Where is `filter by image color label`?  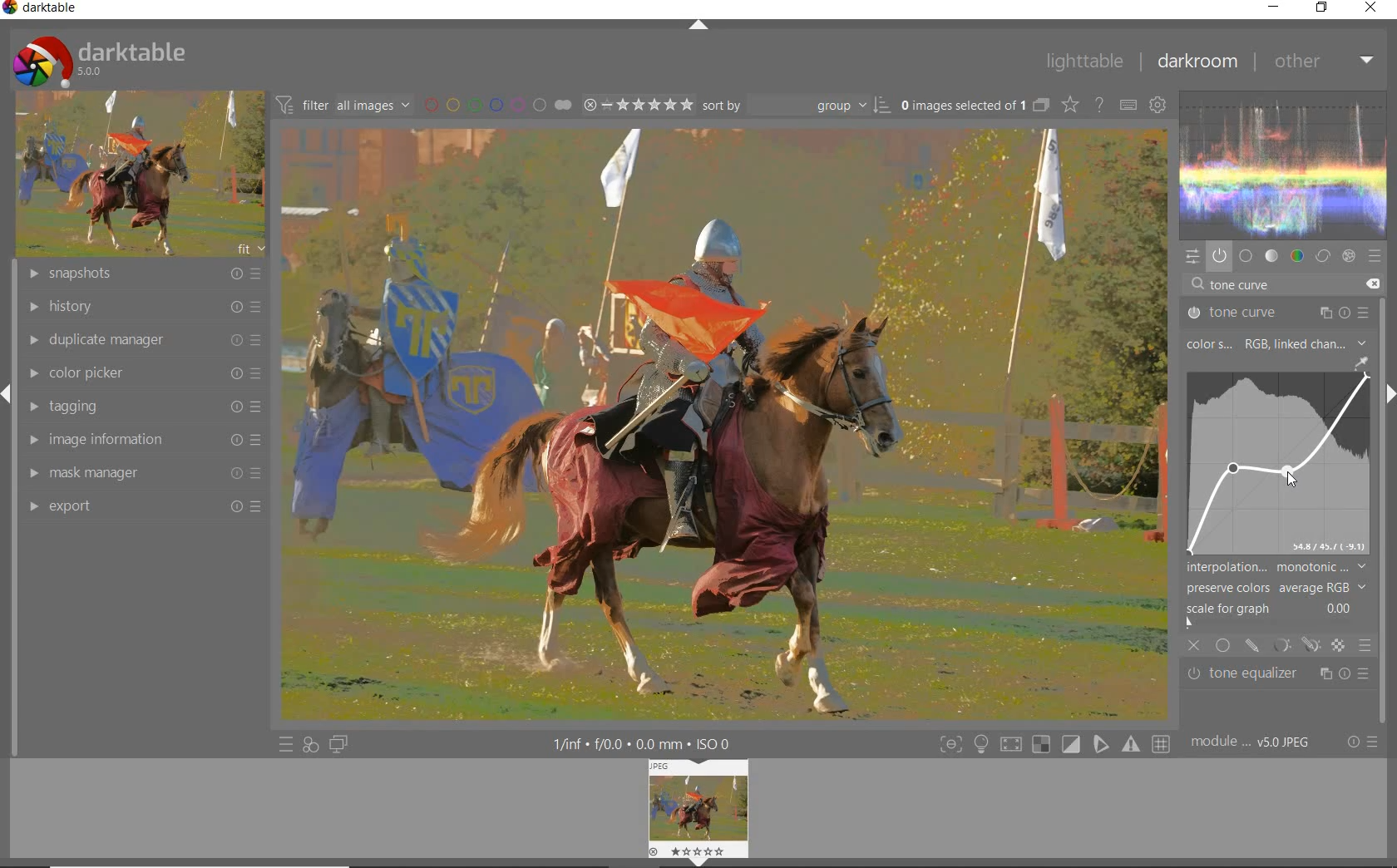
filter by image color label is located at coordinates (496, 104).